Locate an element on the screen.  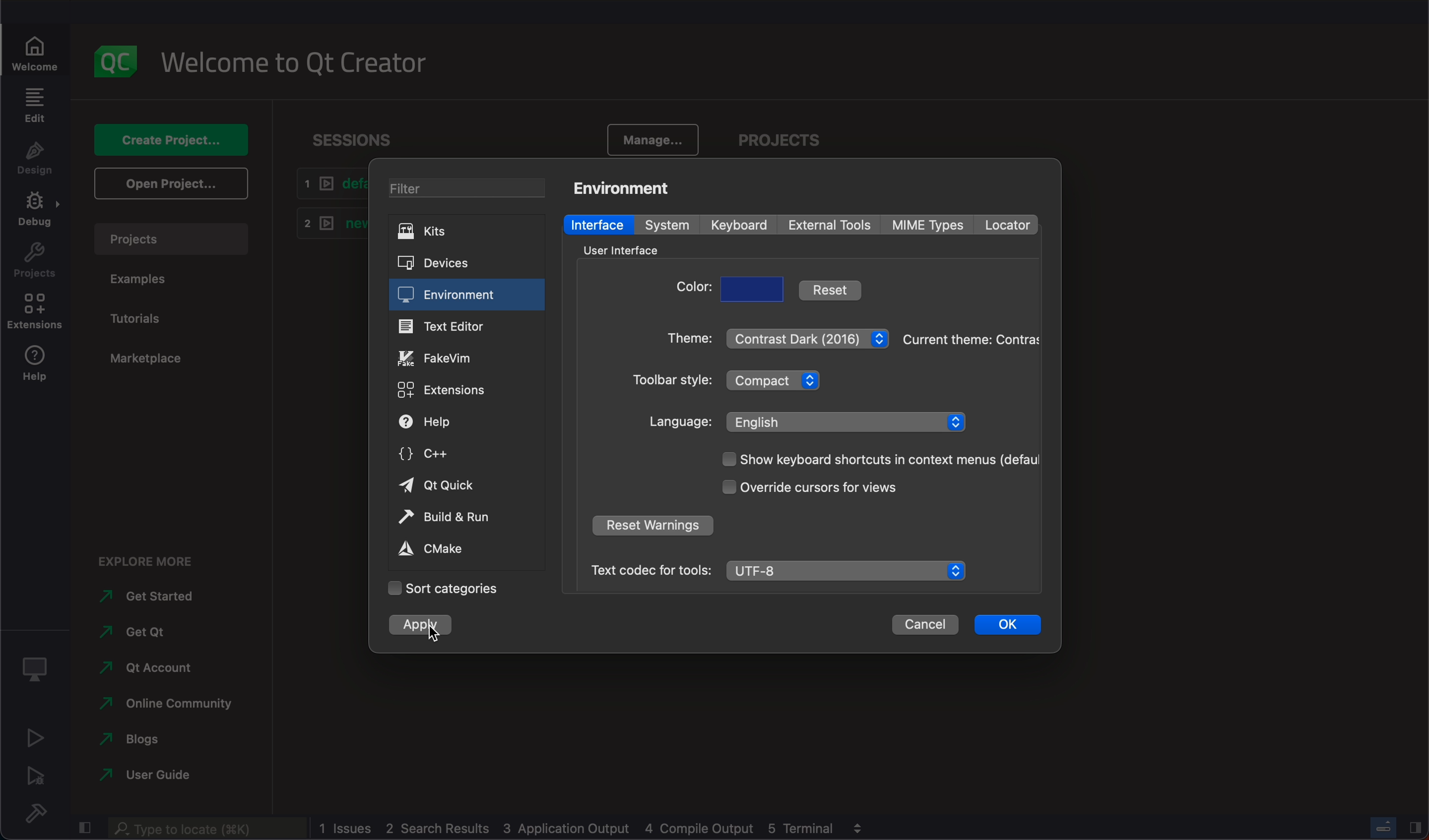
c++ is located at coordinates (467, 455).